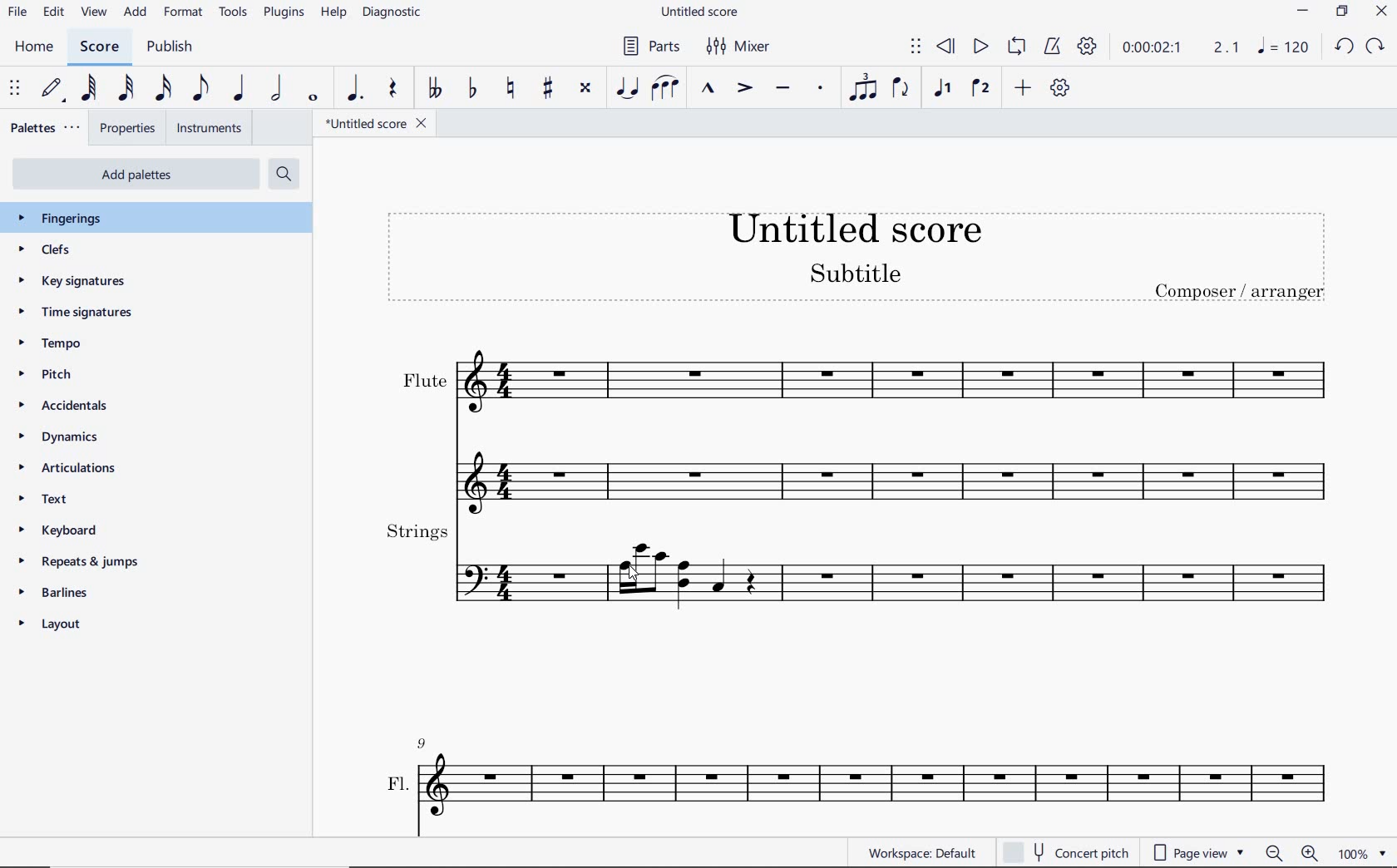  What do you see at coordinates (1024, 86) in the screenshot?
I see `add` at bounding box center [1024, 86].